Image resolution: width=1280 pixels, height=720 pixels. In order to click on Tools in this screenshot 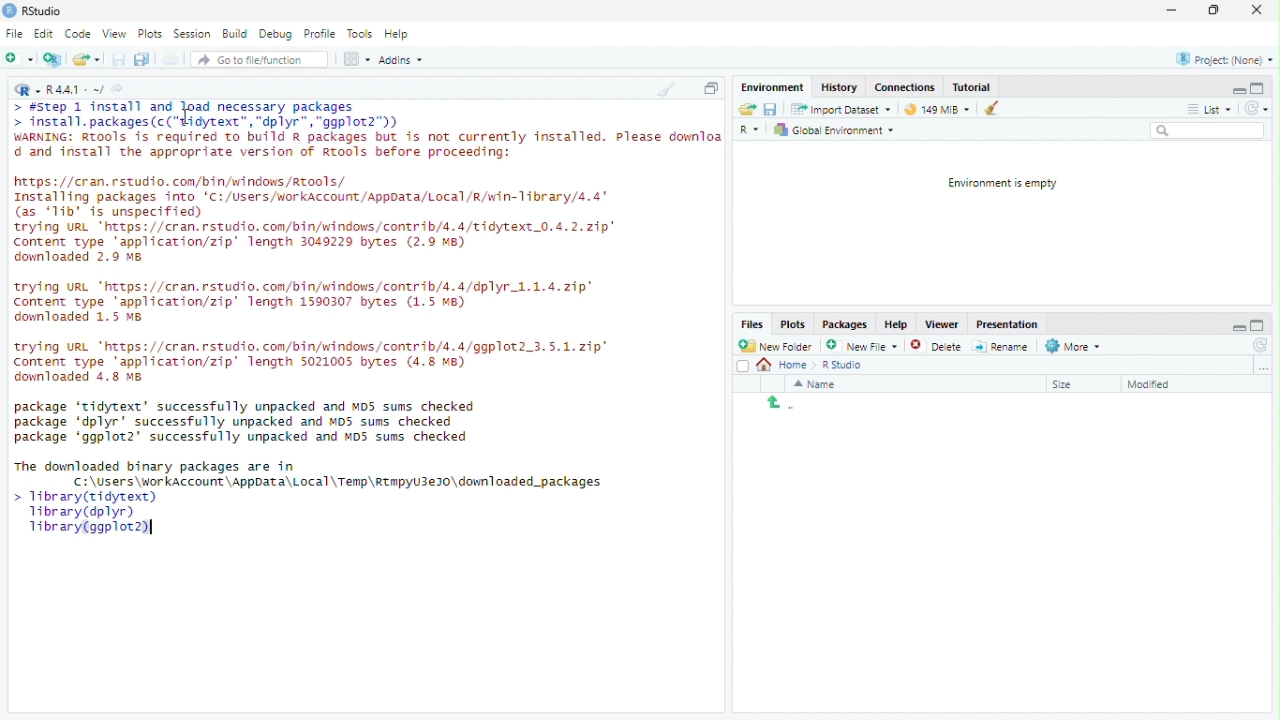, I will do `click(360, 34)`.